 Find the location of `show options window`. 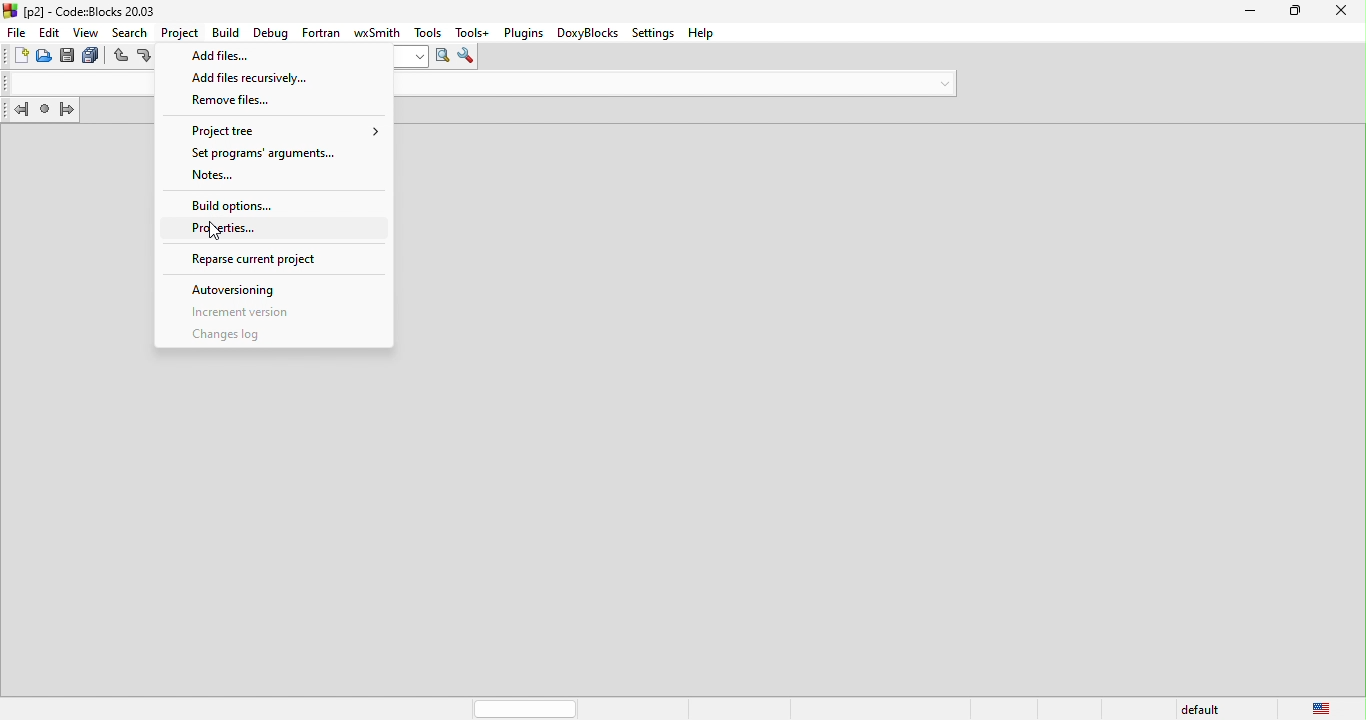

show options window is located at coordinates (466, 58).